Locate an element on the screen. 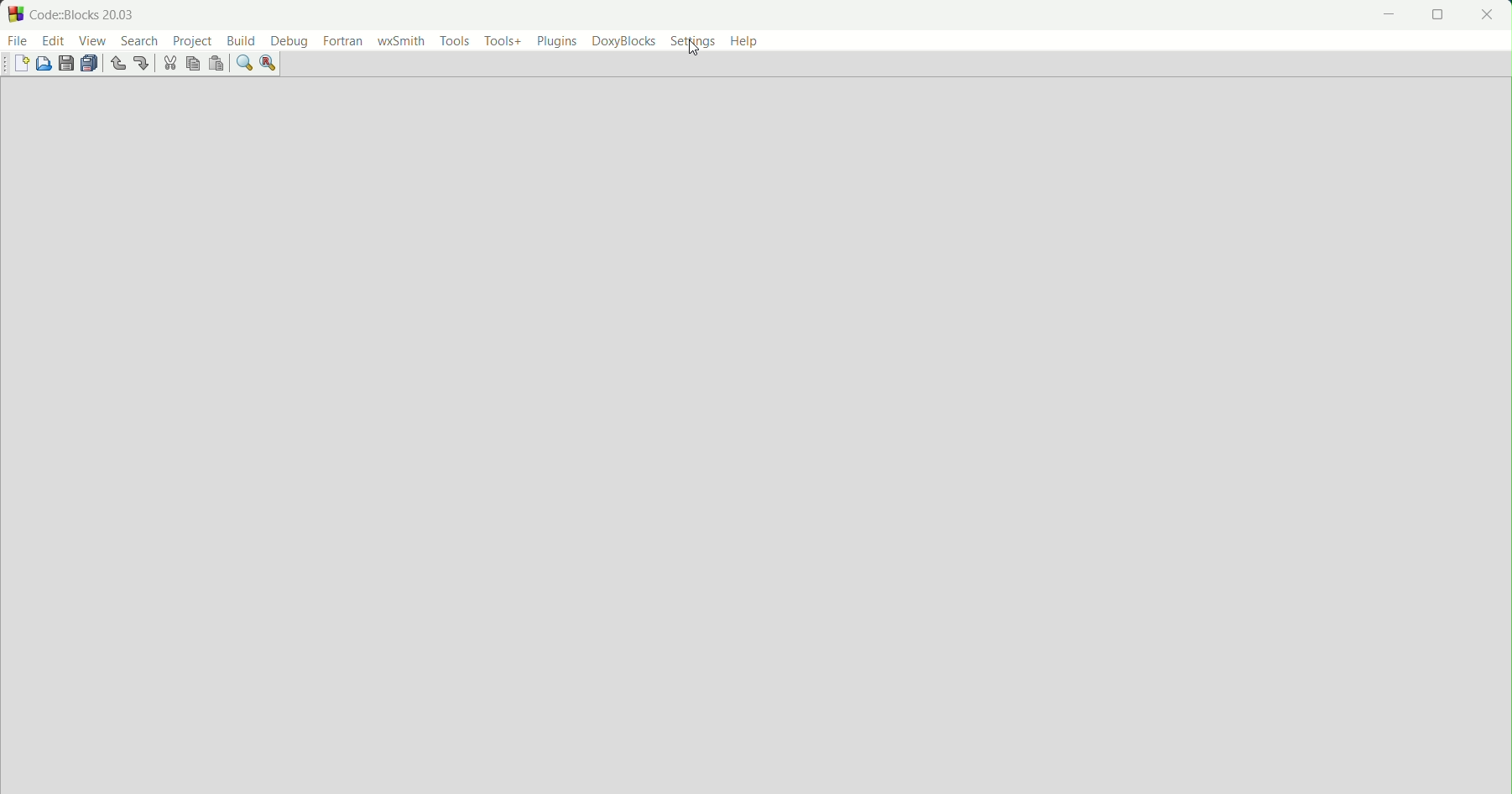  fortran is located at coordinates (343, 42).